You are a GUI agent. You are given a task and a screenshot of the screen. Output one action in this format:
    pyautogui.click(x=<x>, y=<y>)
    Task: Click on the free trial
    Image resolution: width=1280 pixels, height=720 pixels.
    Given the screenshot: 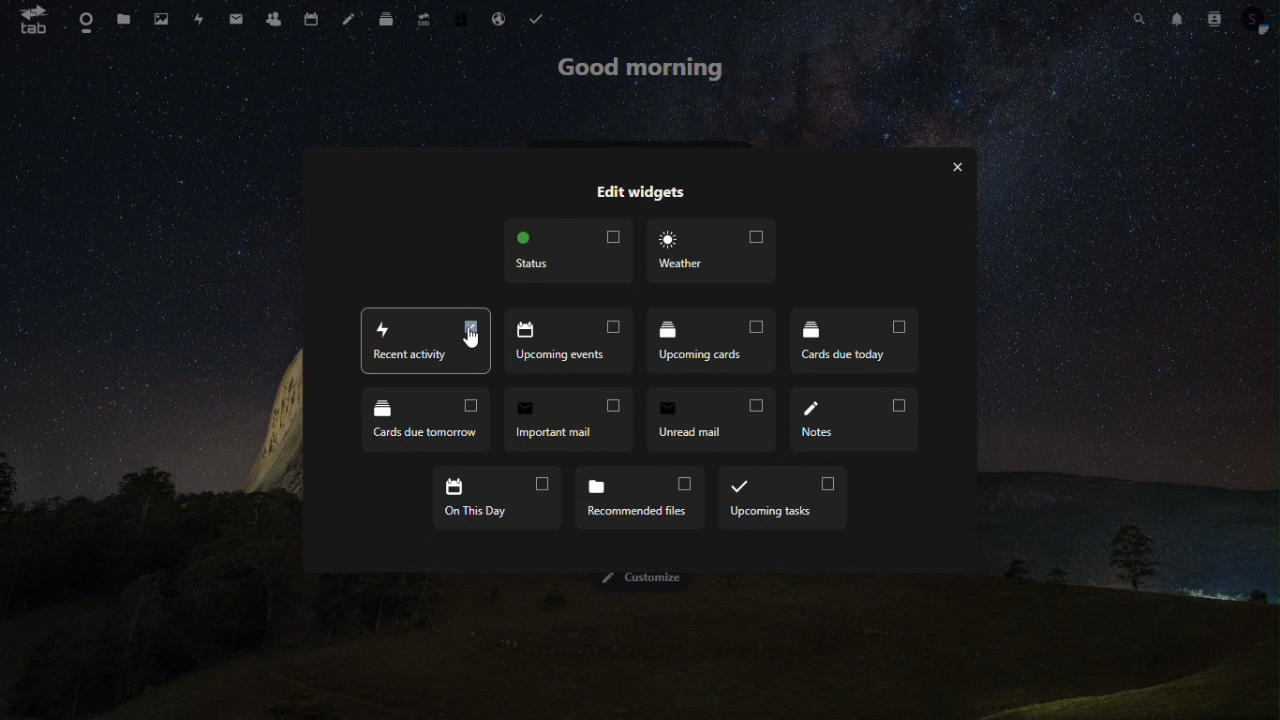 What is the action you would take?
    pyautogui.click(x=463, y=17)
    